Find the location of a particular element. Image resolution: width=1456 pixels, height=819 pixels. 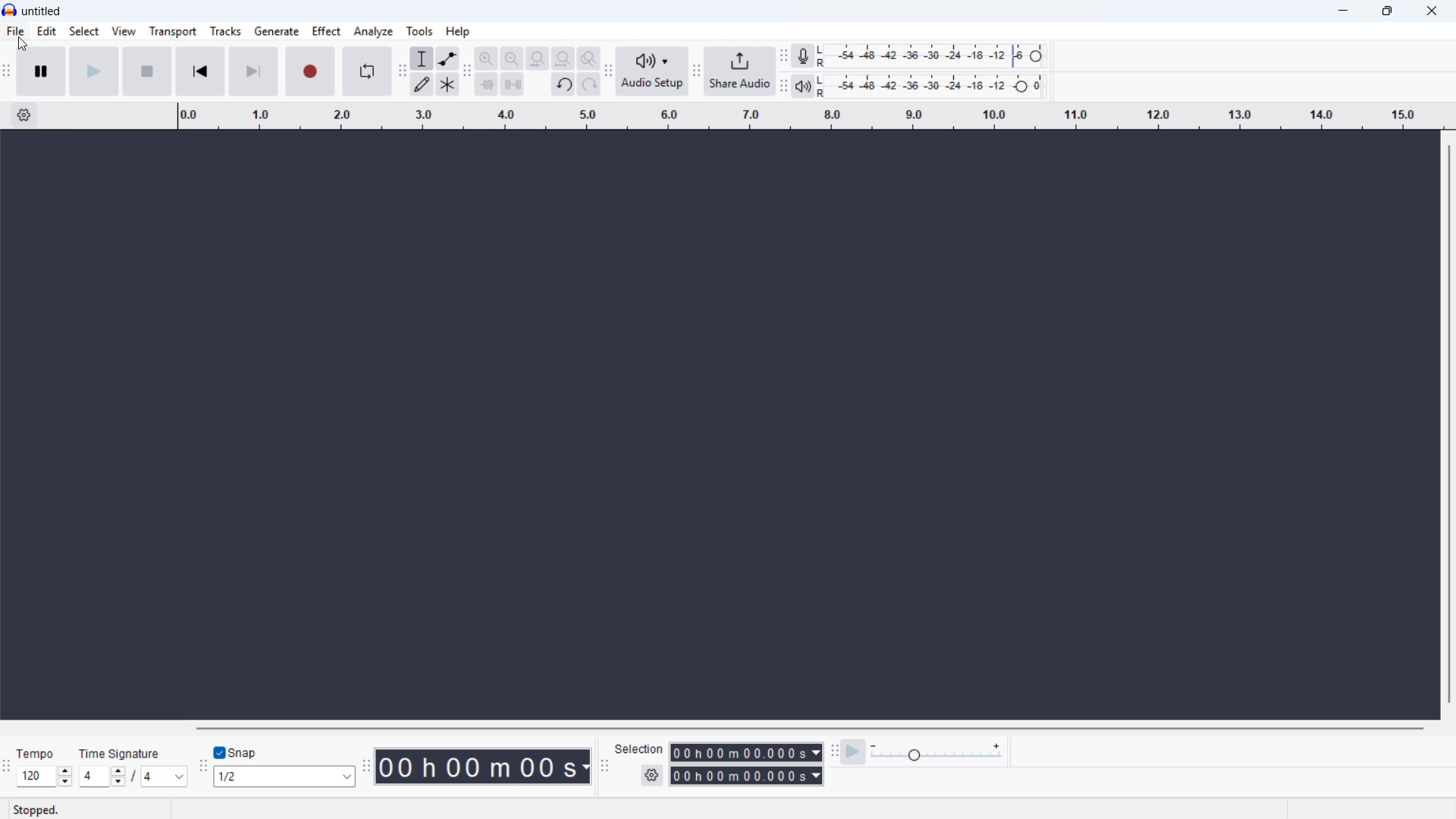

Skip to end  is located at coordinates (253, 72).